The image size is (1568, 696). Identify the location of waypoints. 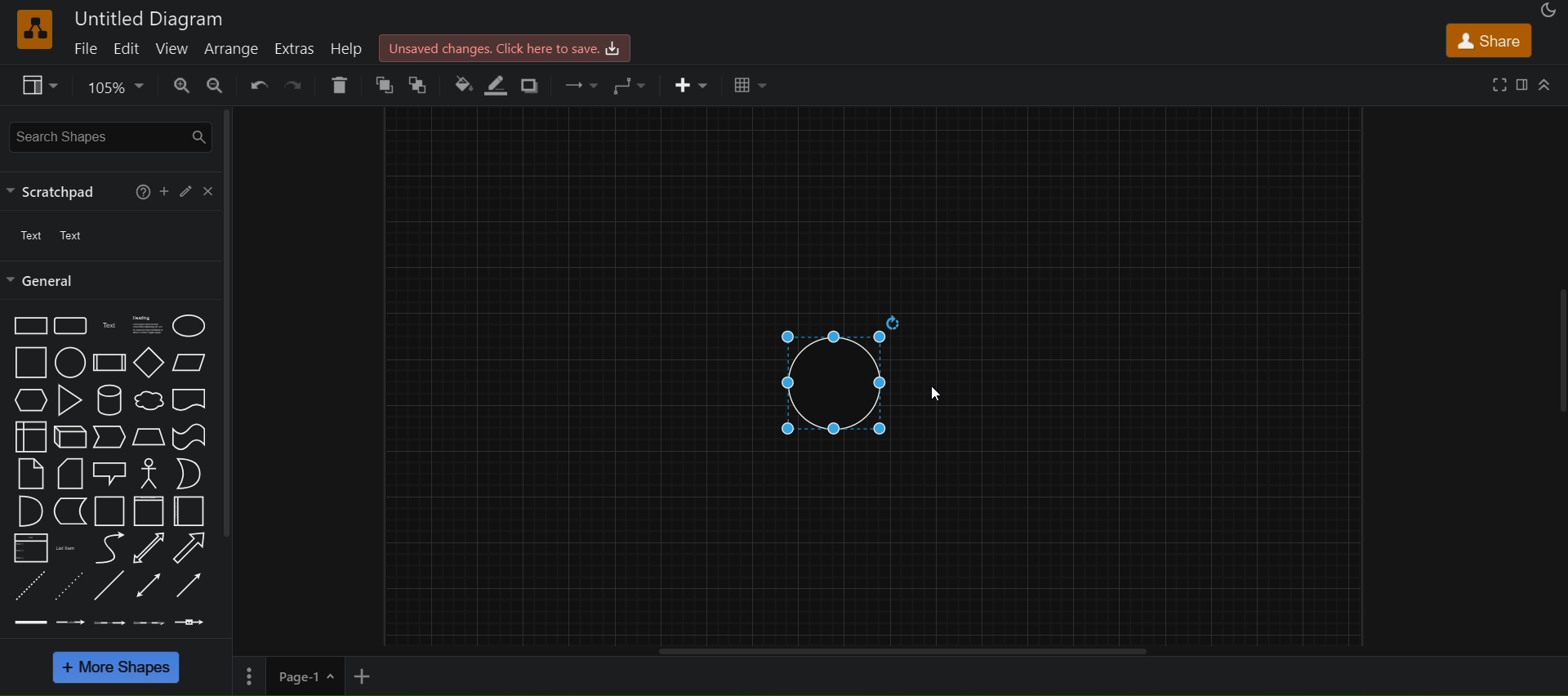
(632, 86).